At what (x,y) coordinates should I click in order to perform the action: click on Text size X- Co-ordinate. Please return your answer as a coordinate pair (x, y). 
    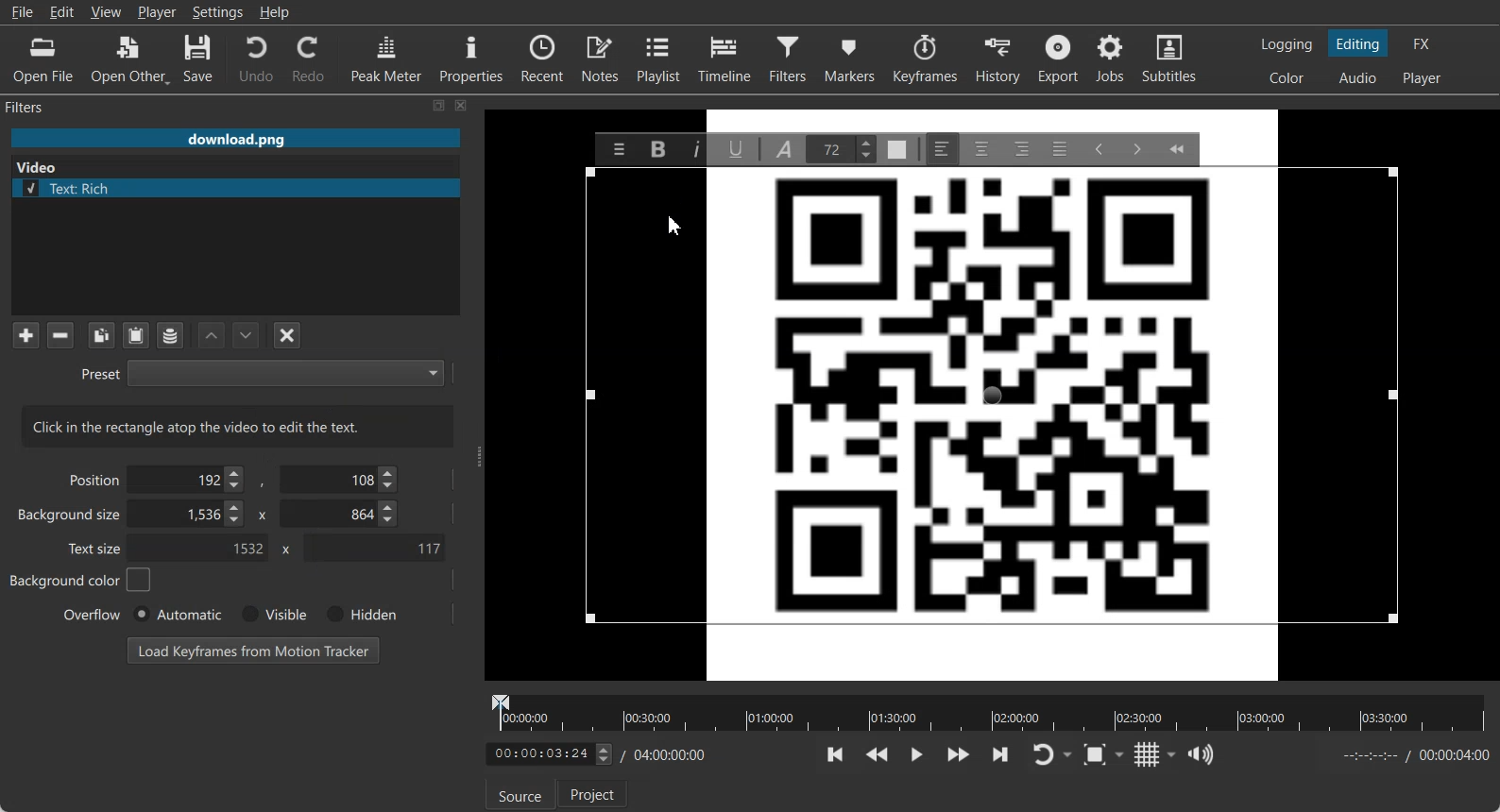
    Looking at the image, I should click on (201, 550).